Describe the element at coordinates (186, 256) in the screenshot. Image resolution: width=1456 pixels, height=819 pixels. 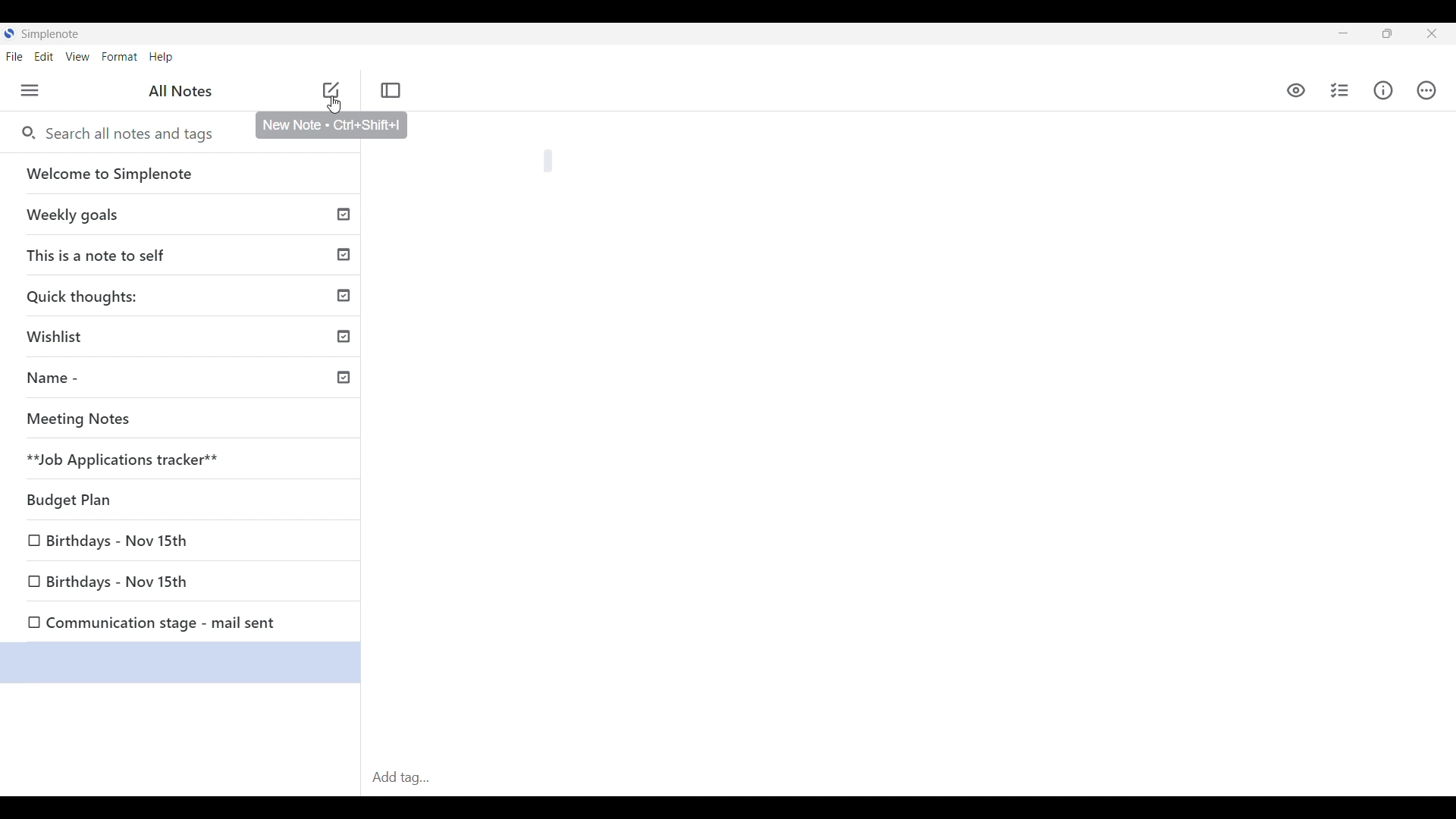
I see `This is a note to self` at that location.